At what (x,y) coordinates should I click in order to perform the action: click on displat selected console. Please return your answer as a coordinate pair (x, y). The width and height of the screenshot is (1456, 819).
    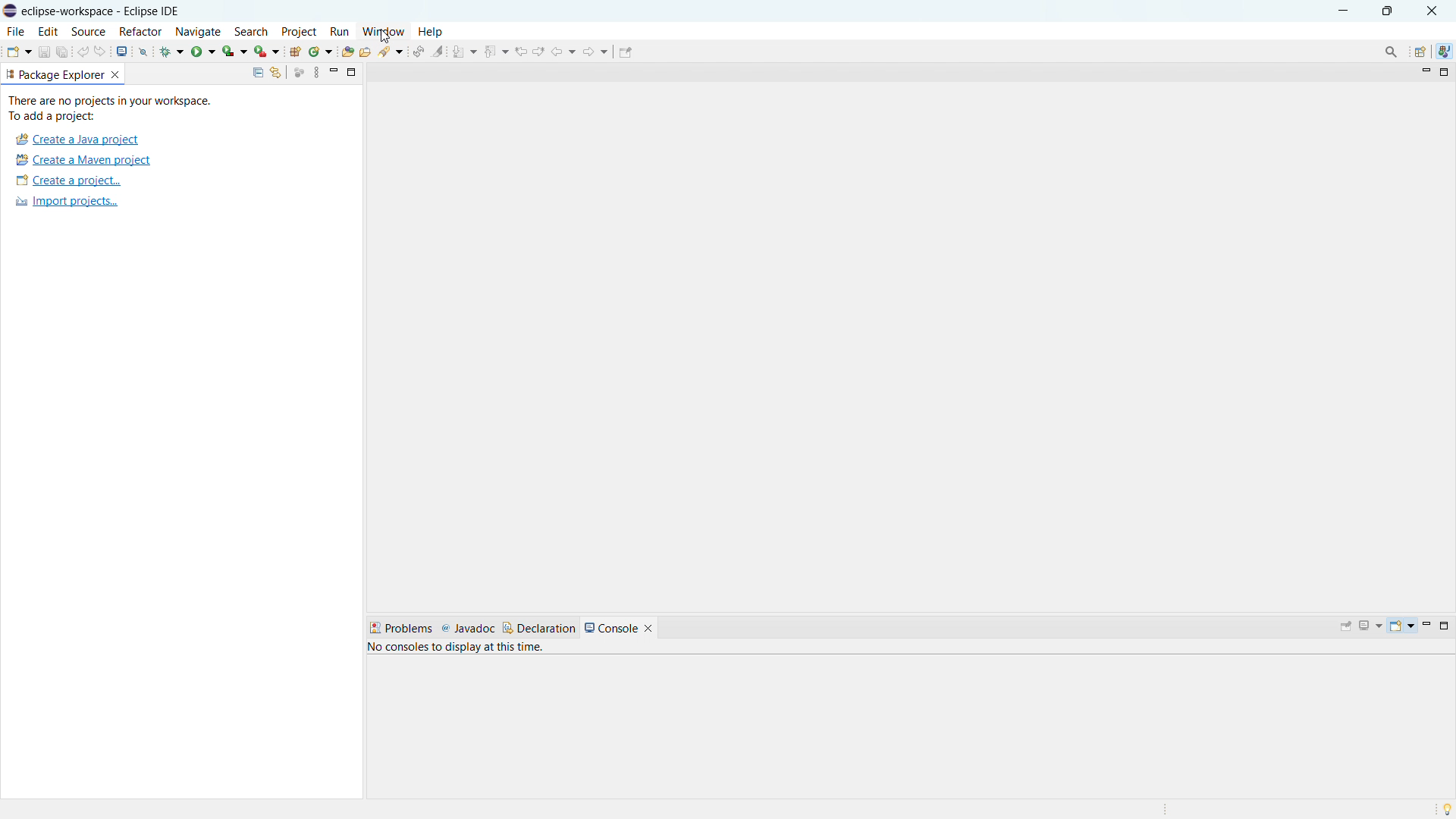
    Looking at the image, I should click on (1371, 626).